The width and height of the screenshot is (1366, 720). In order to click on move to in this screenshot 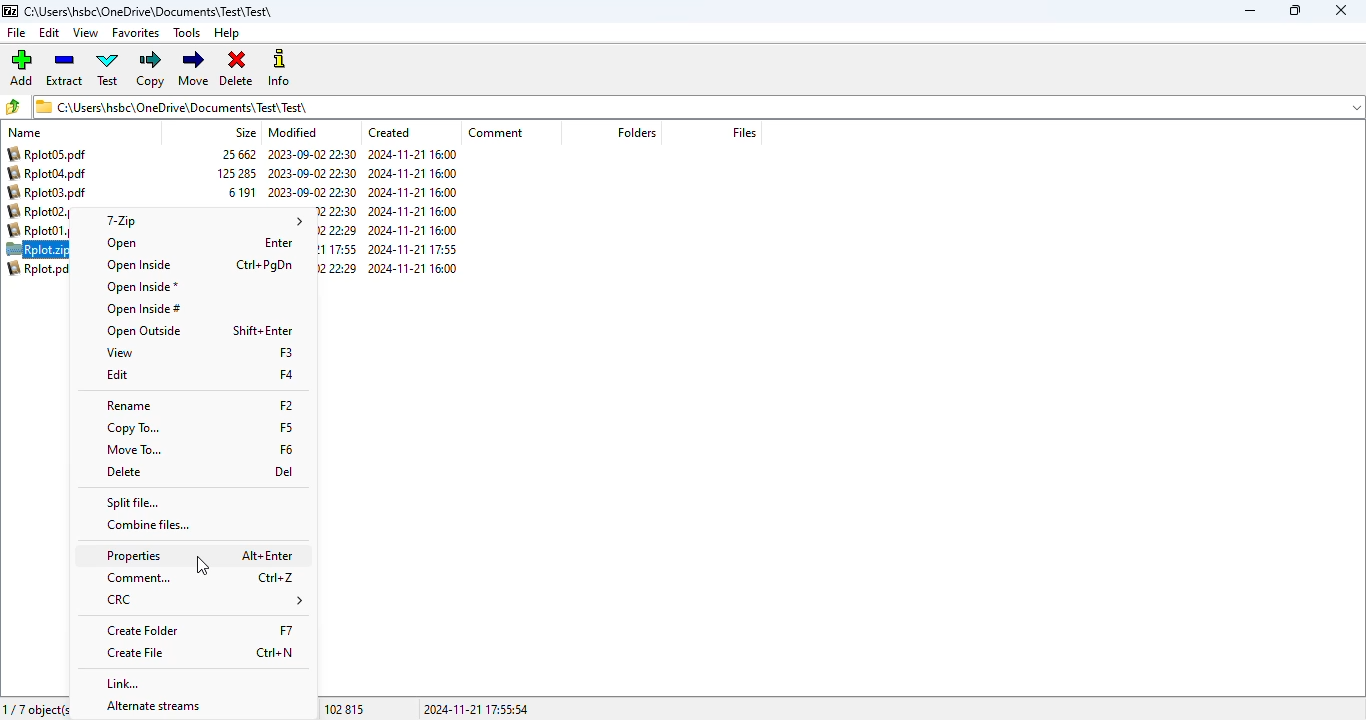, I will do `click(135, 450)`.